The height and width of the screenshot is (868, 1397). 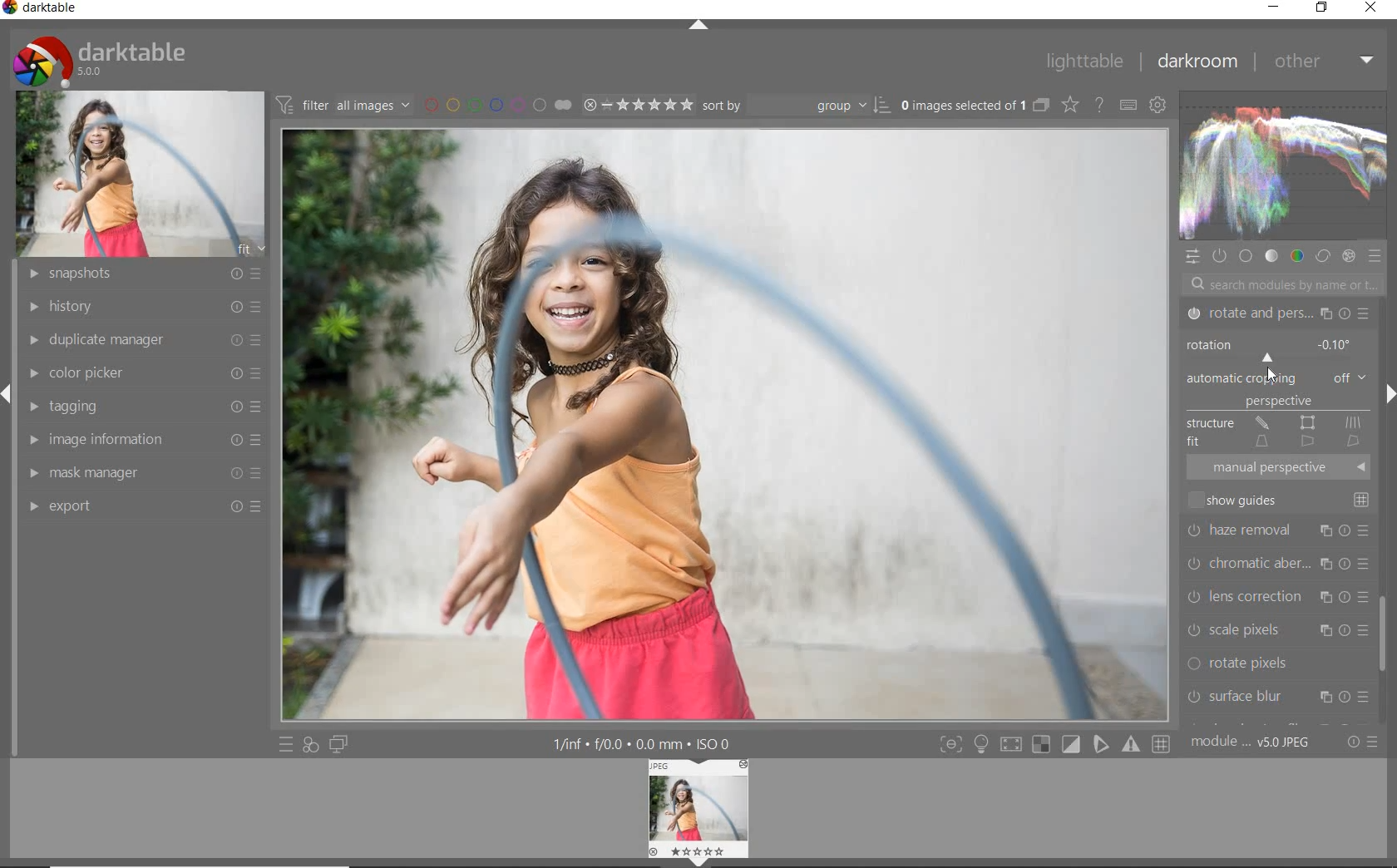 I want to click on haze removal, so click(x=1279, y=530).